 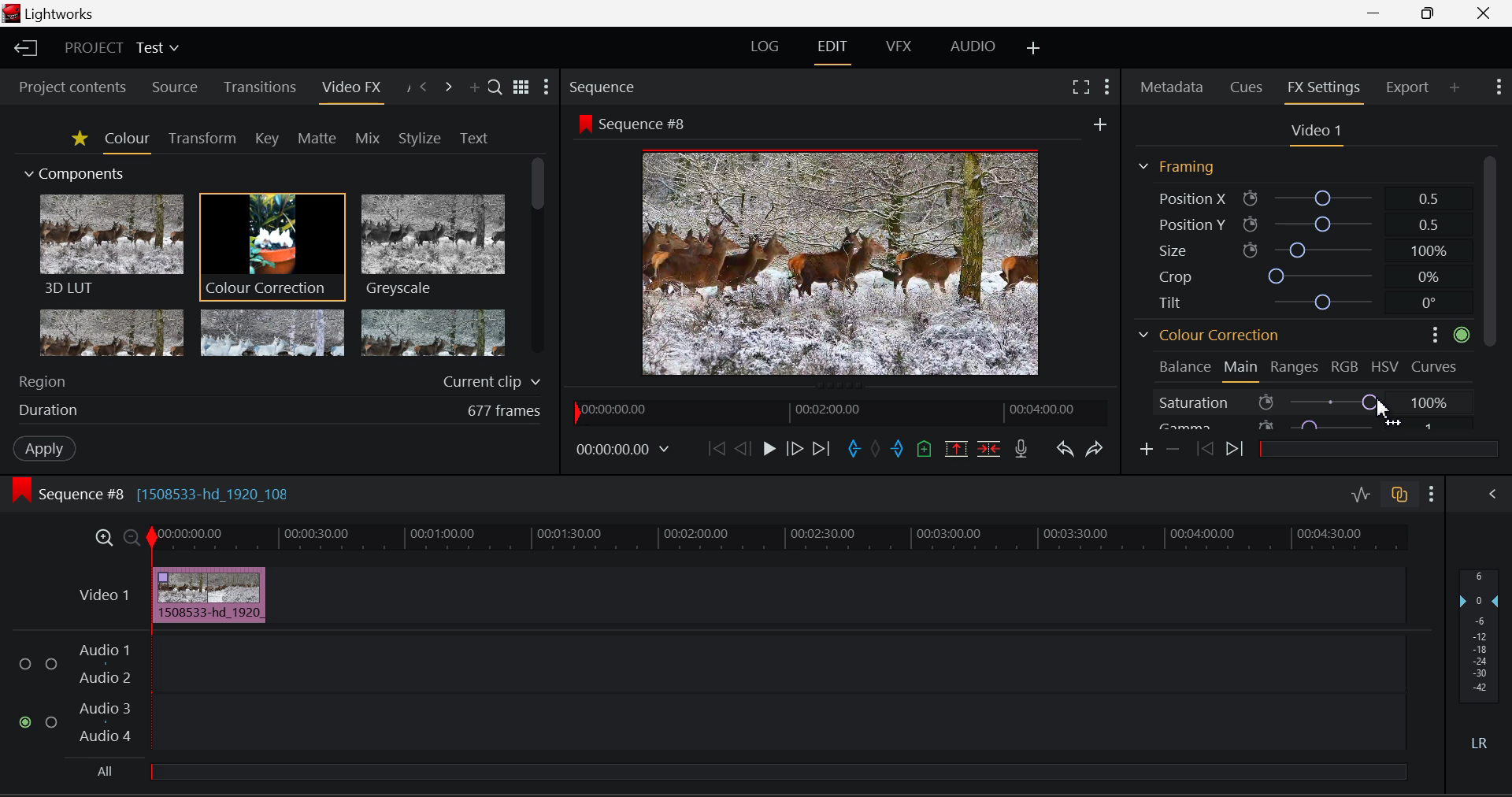 What do you see at coordinates (1501, 87) in the screenshot?
I see `Show Settings` at bounding box center [1501, 87].